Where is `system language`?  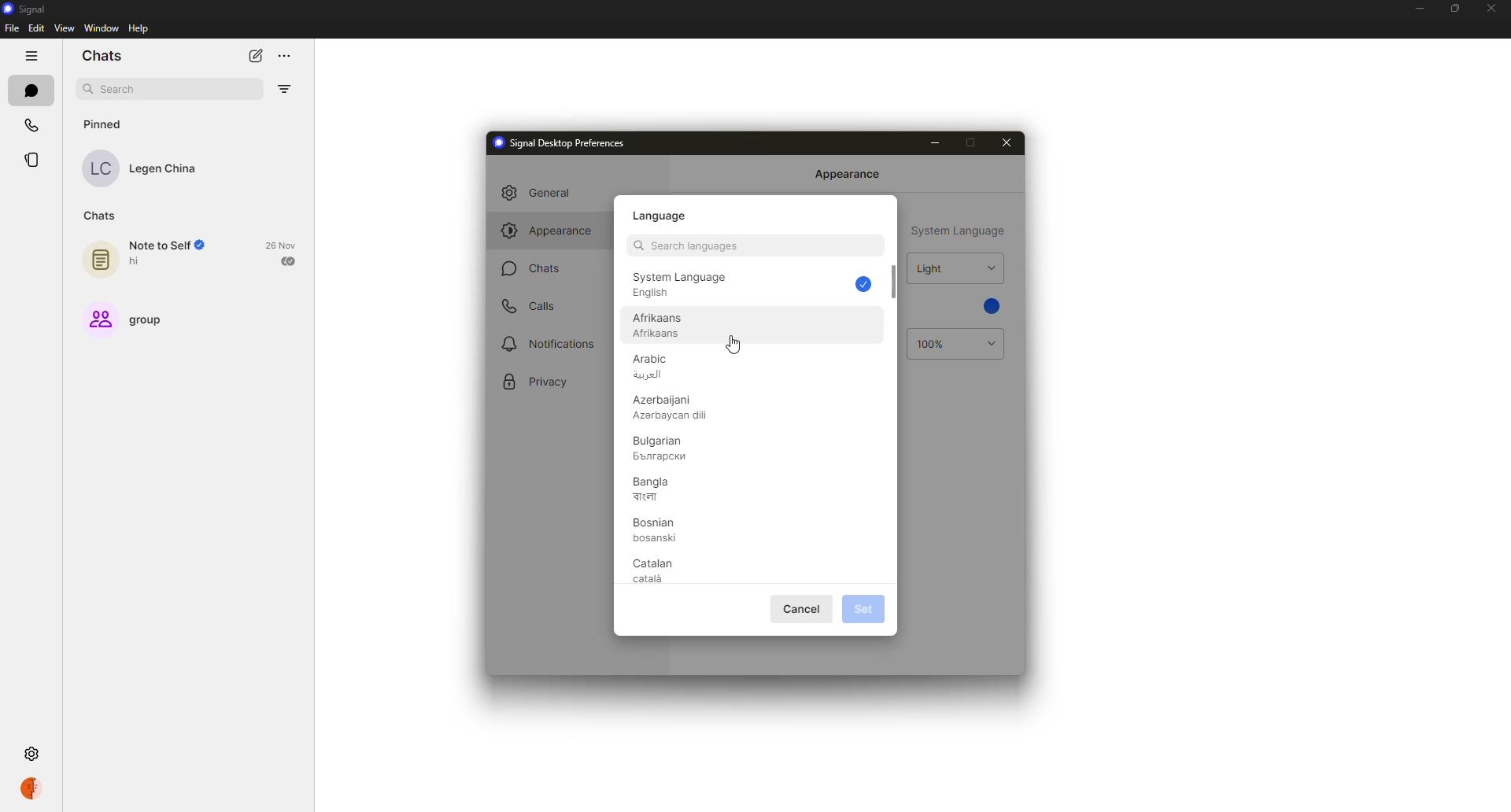 system language is located at coordinates (959, 231).